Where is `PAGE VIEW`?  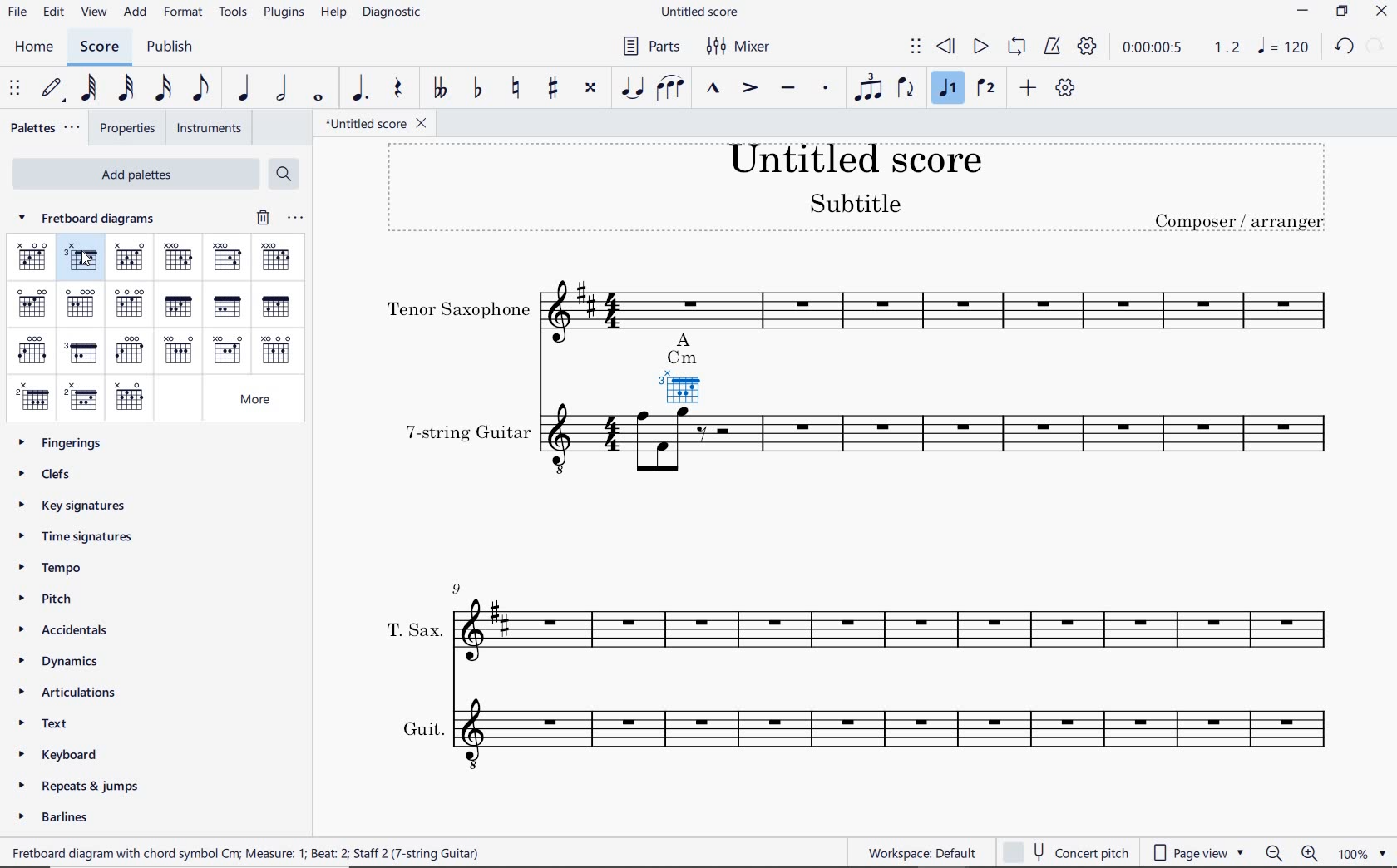
PAGE VIEW is located at coordinates (1201, 851).